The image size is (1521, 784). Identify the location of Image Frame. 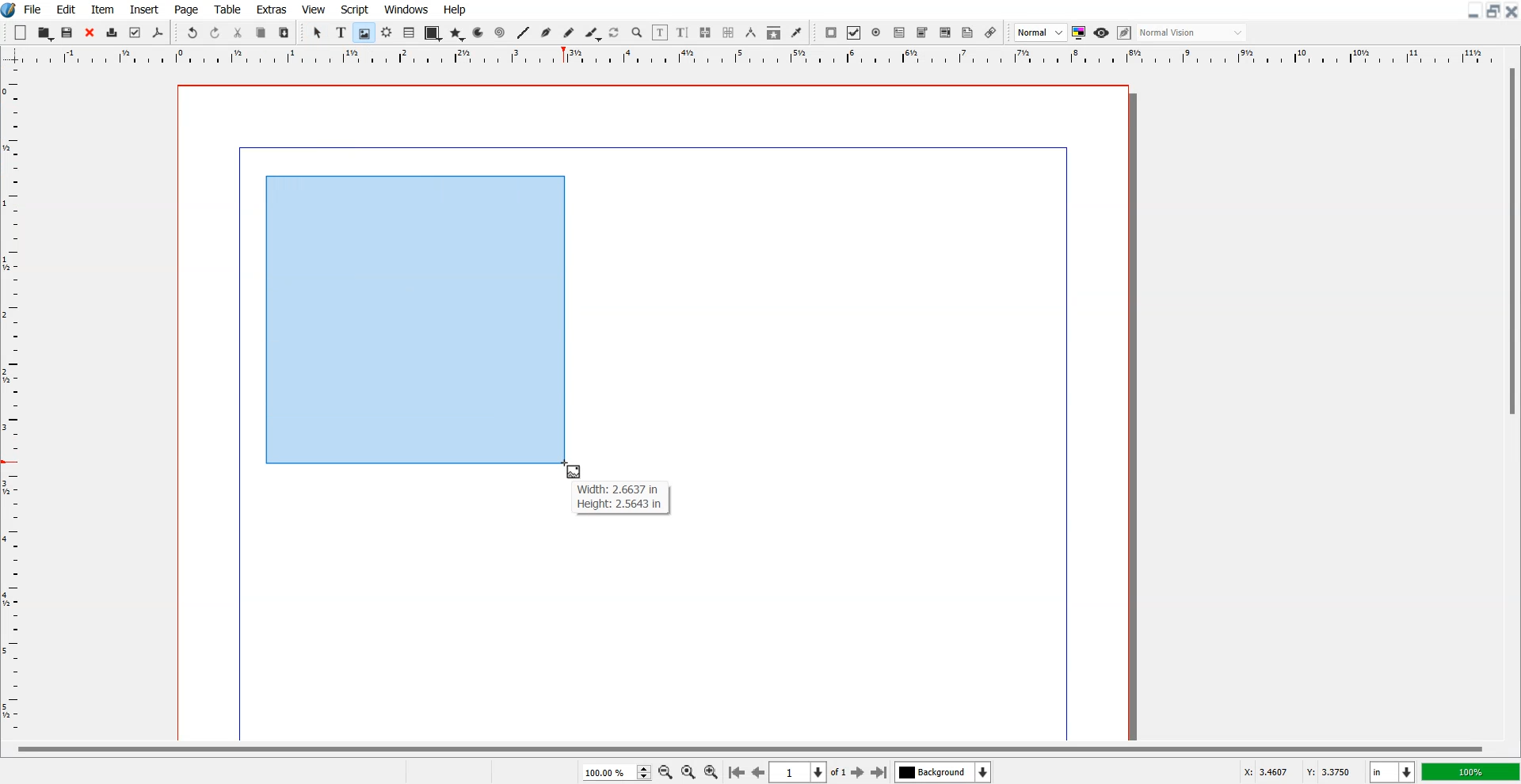
(414, 318).